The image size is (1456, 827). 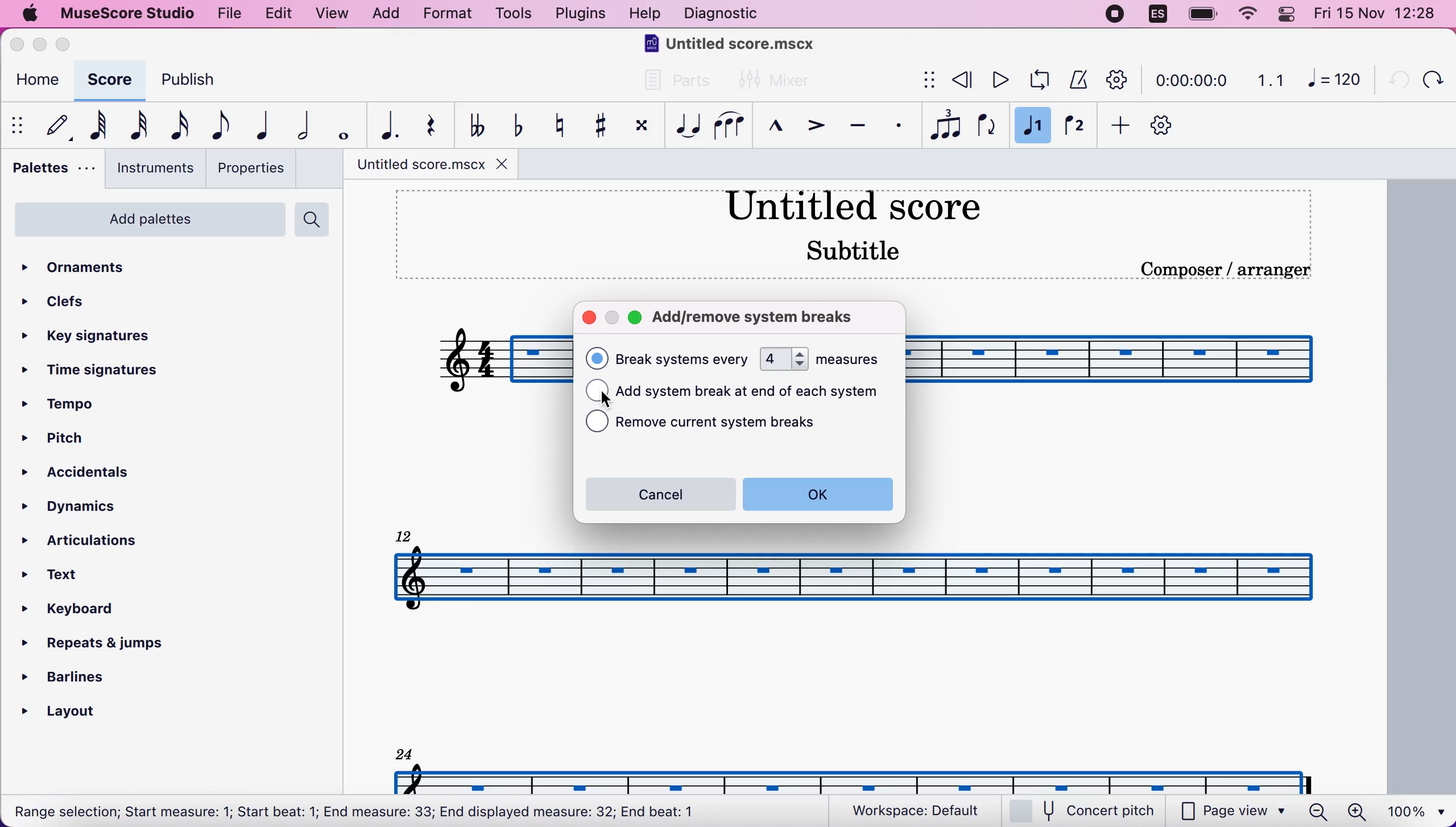 I want to click on eight note, so click(x=218, y=125).